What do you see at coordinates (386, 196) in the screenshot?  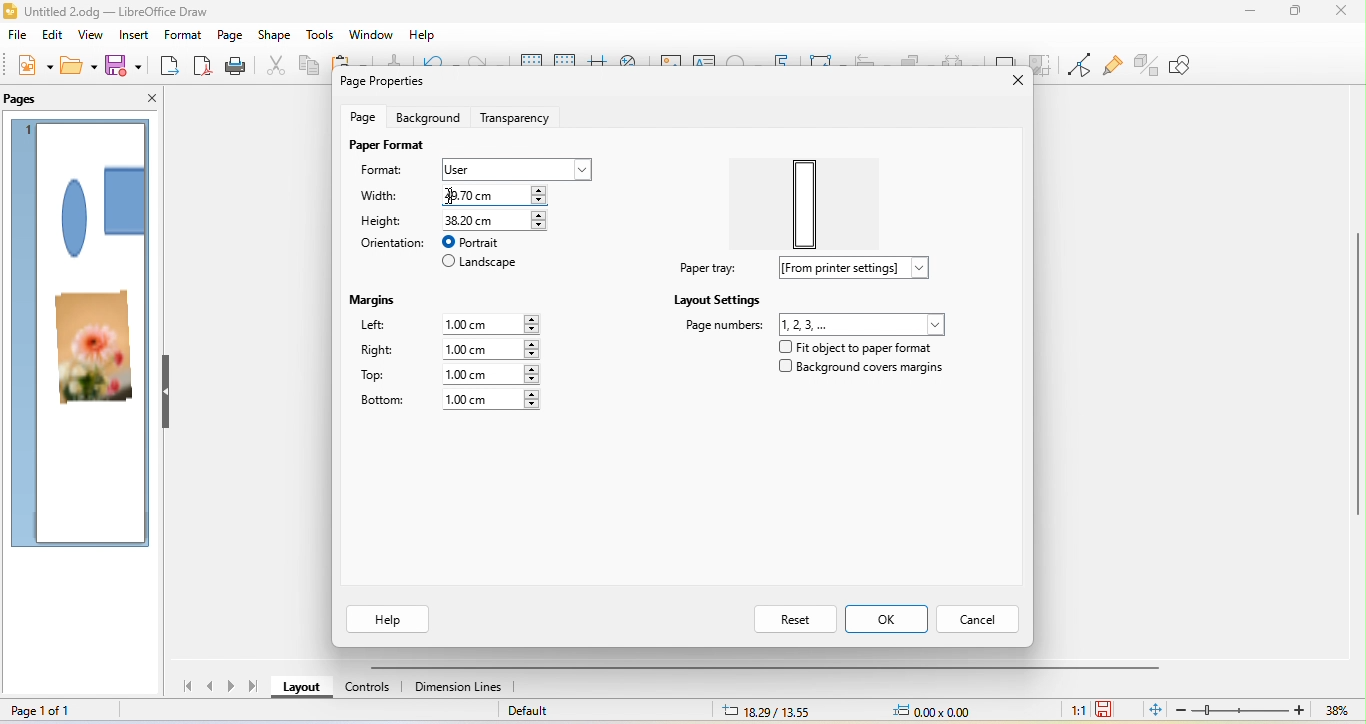 I see `width` at bounding box center [386, 196].